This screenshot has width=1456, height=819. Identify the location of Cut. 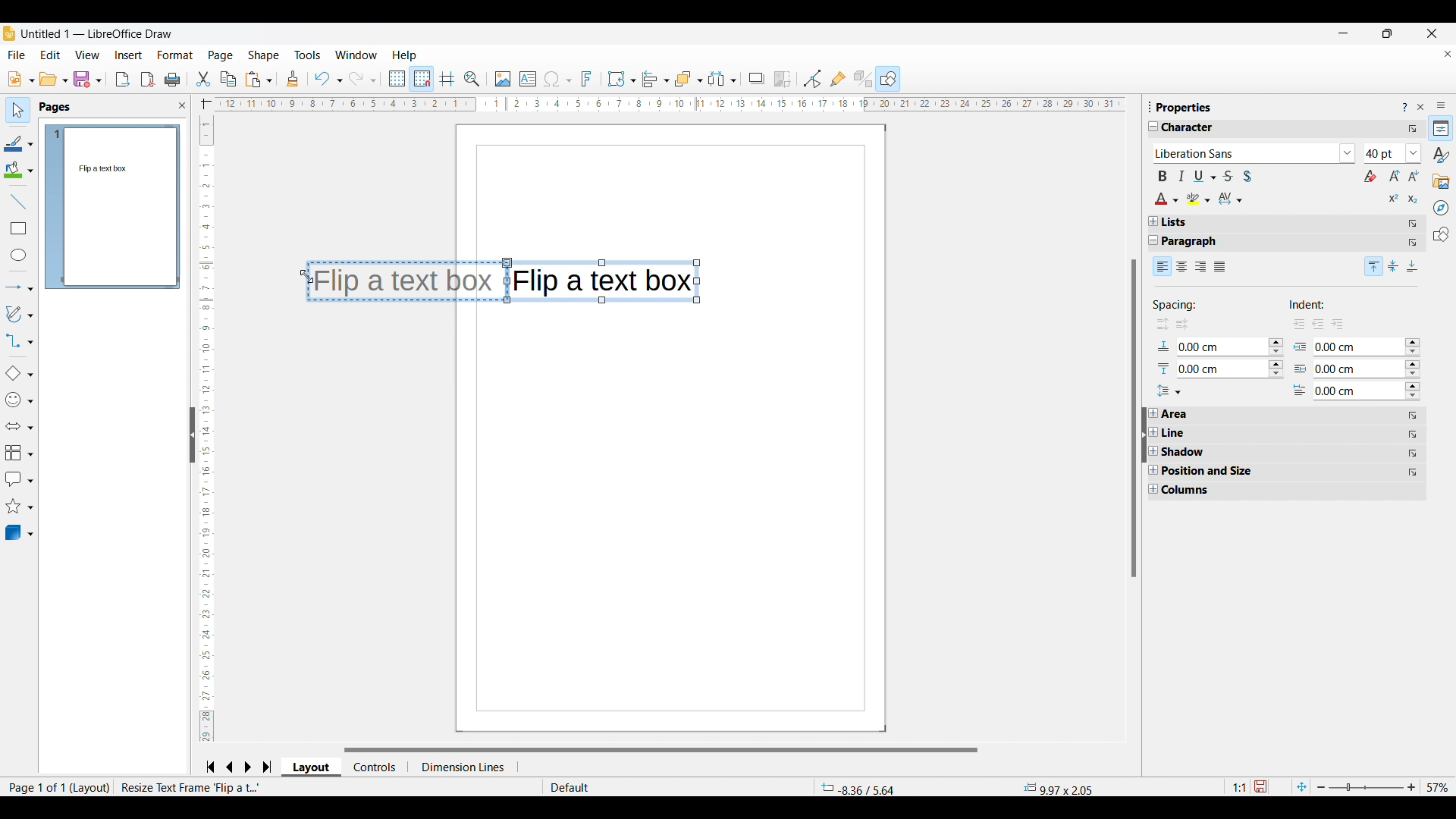
(204, 80).